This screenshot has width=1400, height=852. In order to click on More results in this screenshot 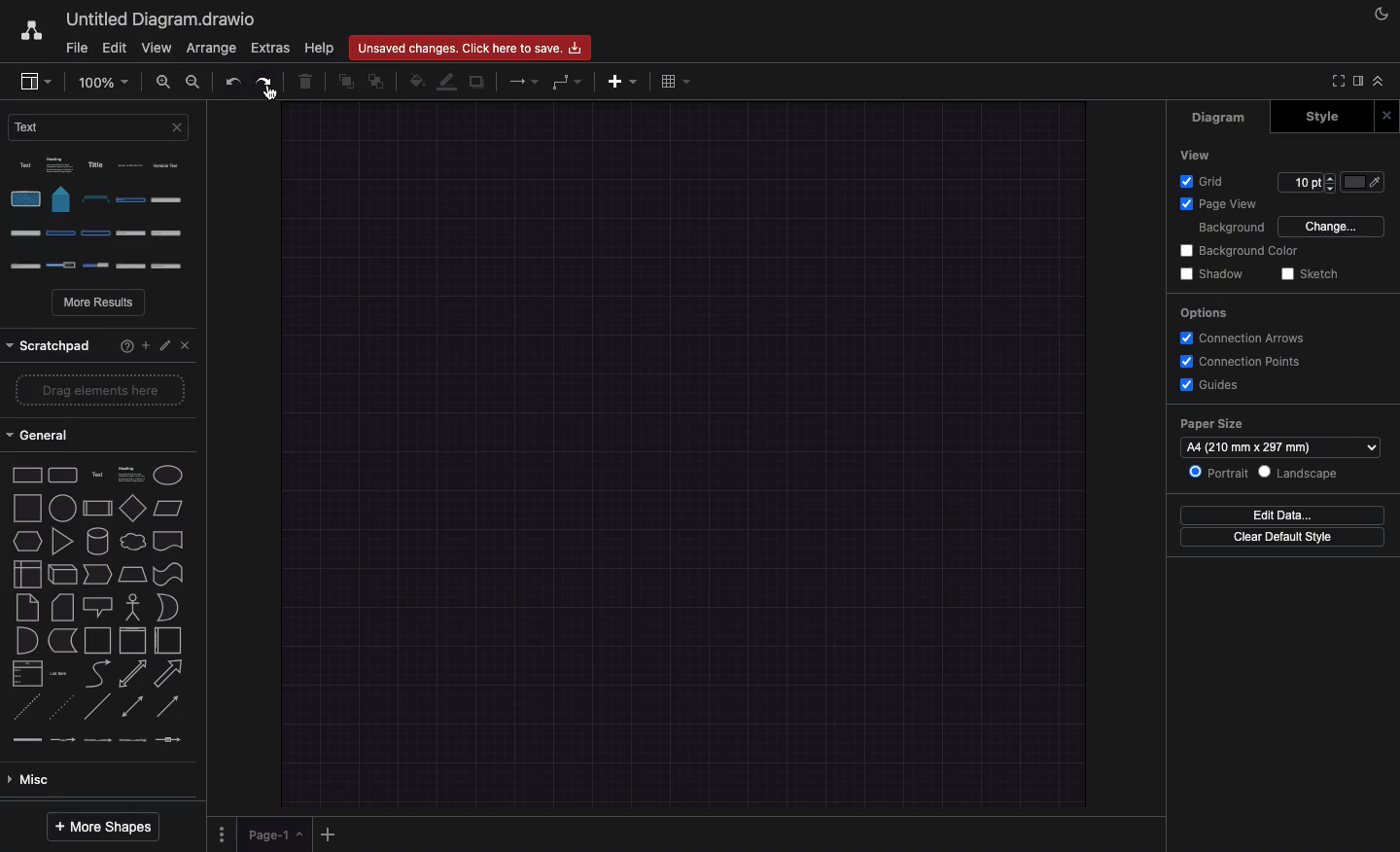, I will do `click(100, 304)`.